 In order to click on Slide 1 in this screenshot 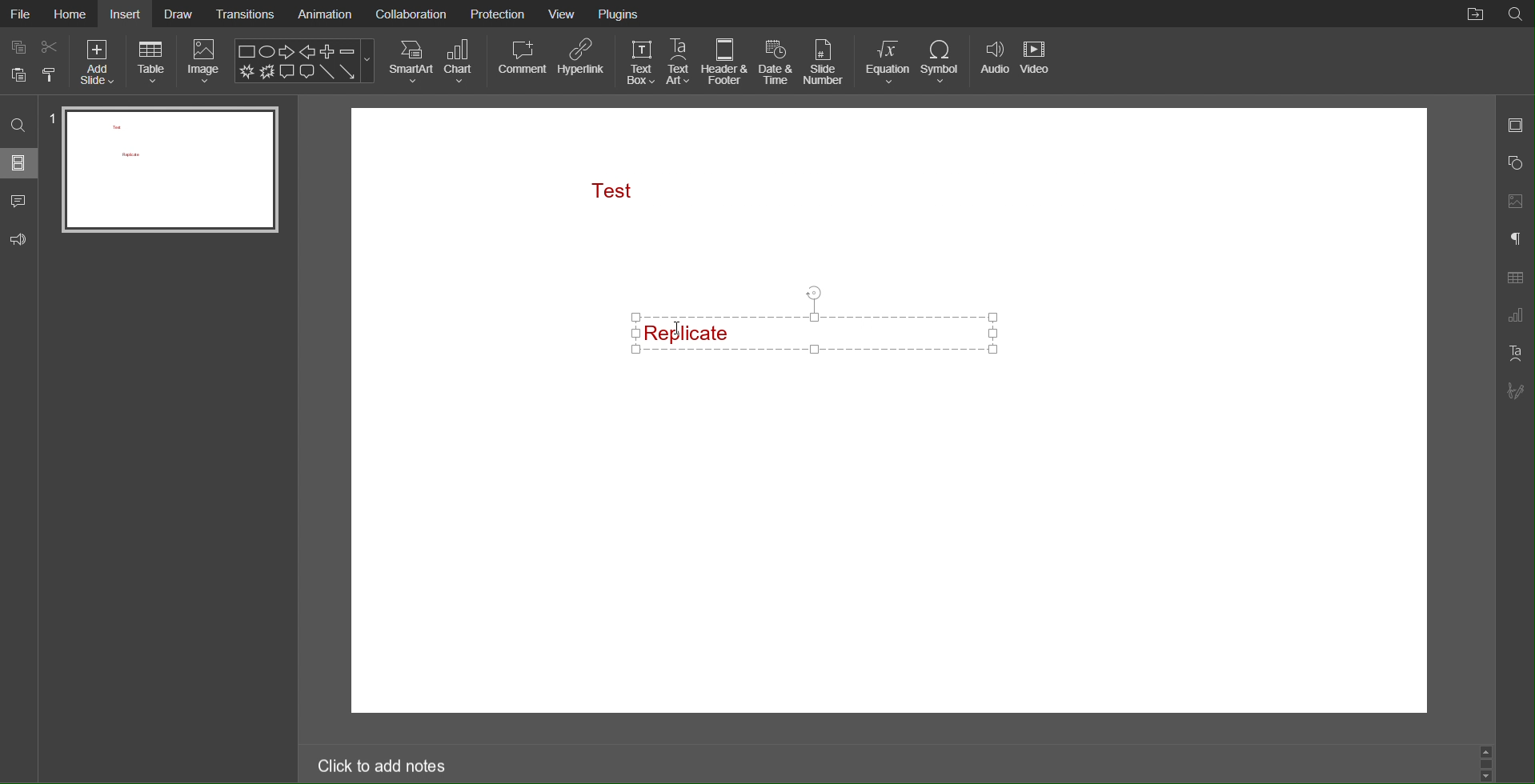, I will do `click(168, 170)`.